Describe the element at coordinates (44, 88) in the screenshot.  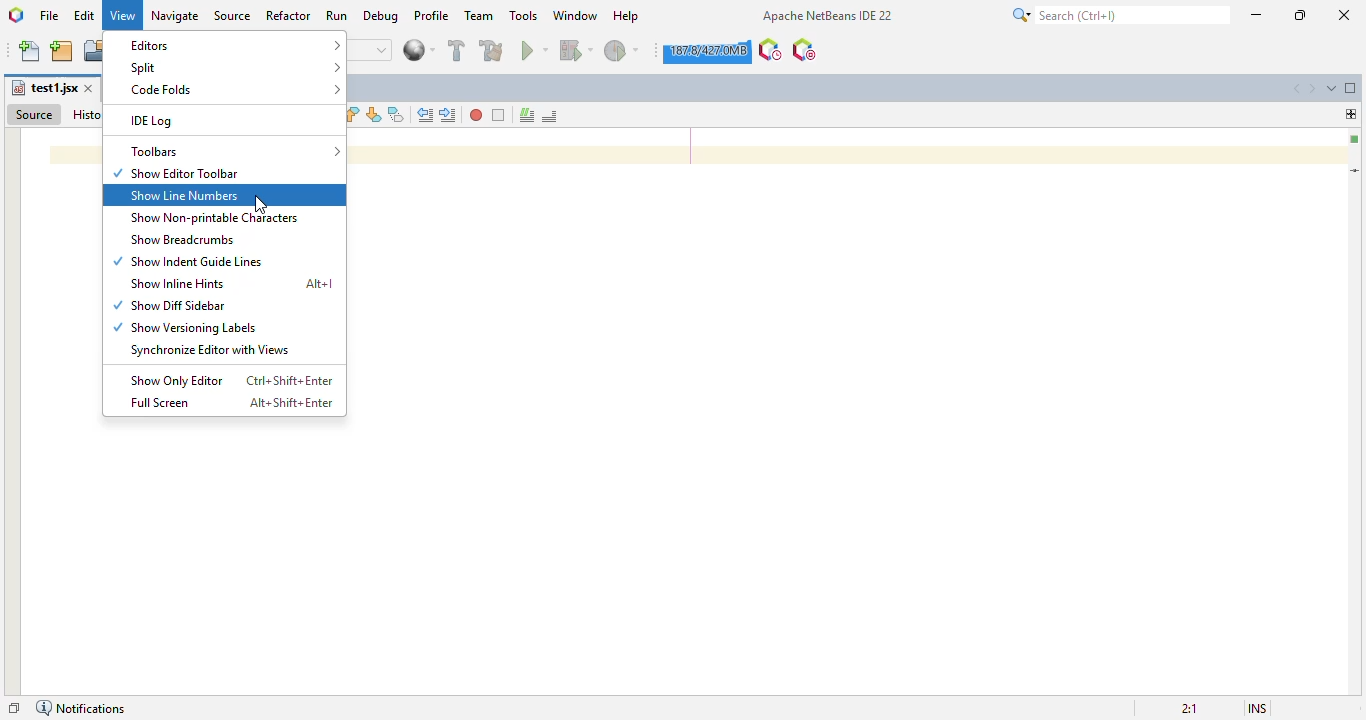
I see `file name` at that location.